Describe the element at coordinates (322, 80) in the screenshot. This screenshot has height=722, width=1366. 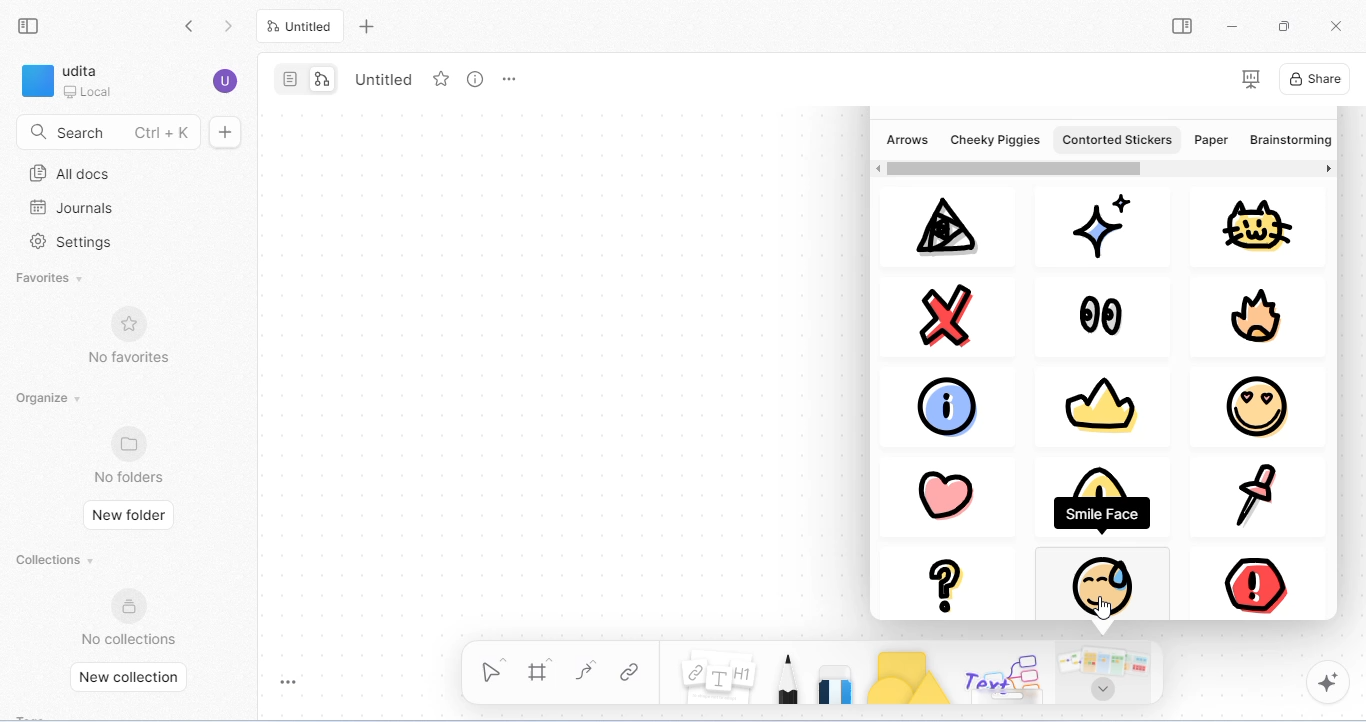
I see `edgeless mode` at that location.